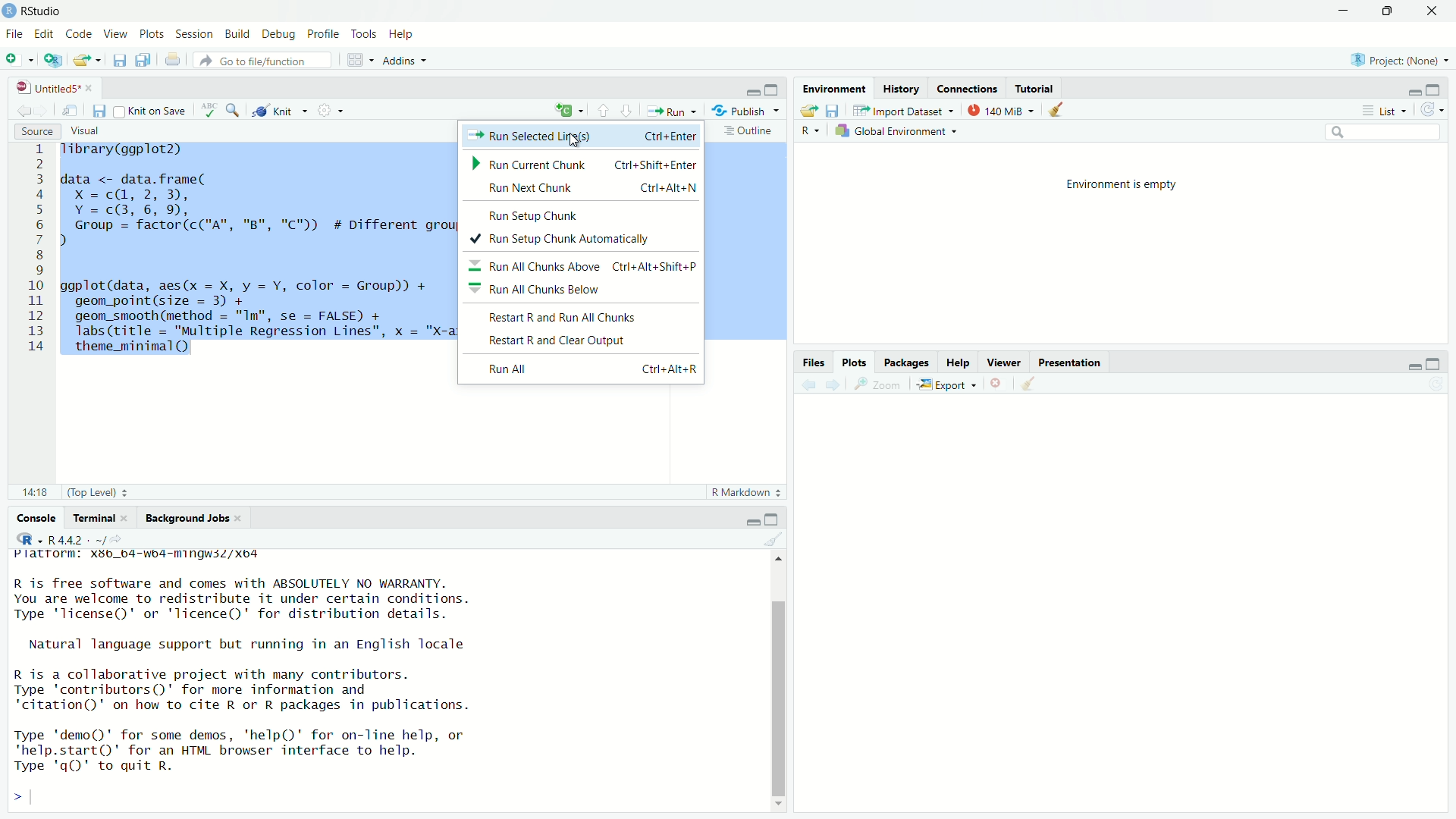  What do you see at coordinates (1410, 91) in the screenshot?
I see `minimise` at bounding box center [1410, 91].